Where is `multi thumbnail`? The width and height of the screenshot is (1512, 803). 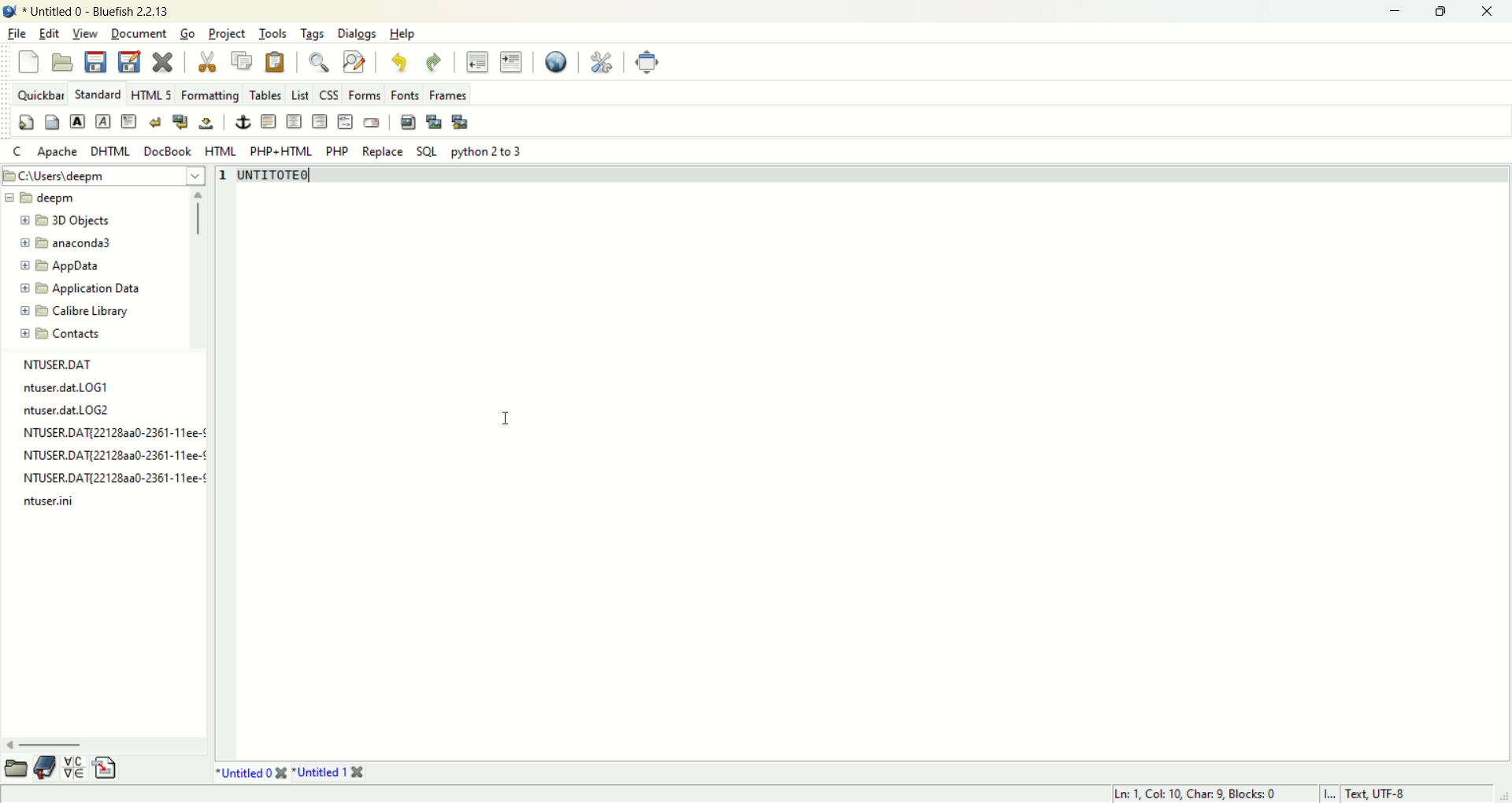
multi thumbnail is located at coordinates (460, 121).